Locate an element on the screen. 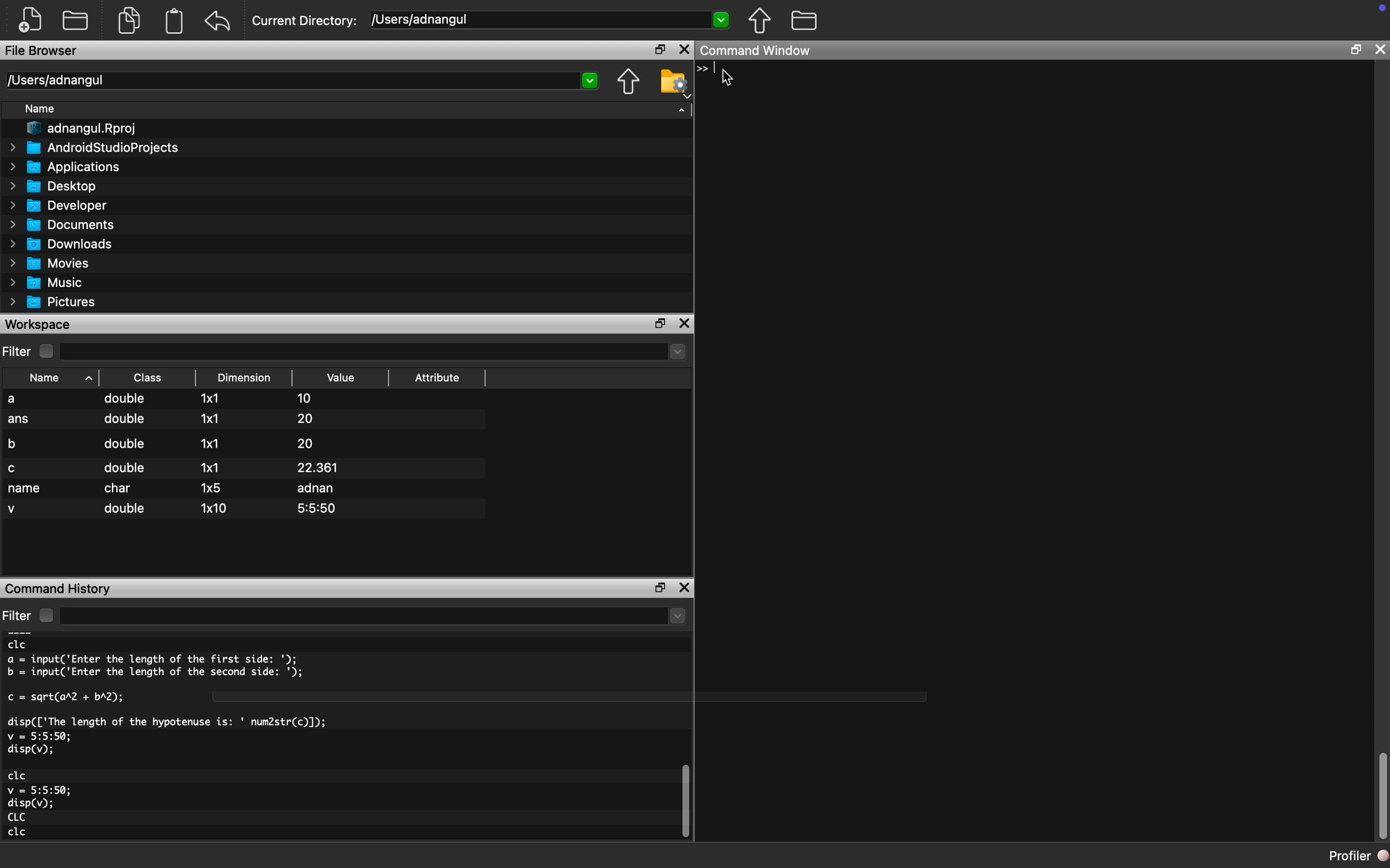  Browse your files is located at coordinates (804, 22).